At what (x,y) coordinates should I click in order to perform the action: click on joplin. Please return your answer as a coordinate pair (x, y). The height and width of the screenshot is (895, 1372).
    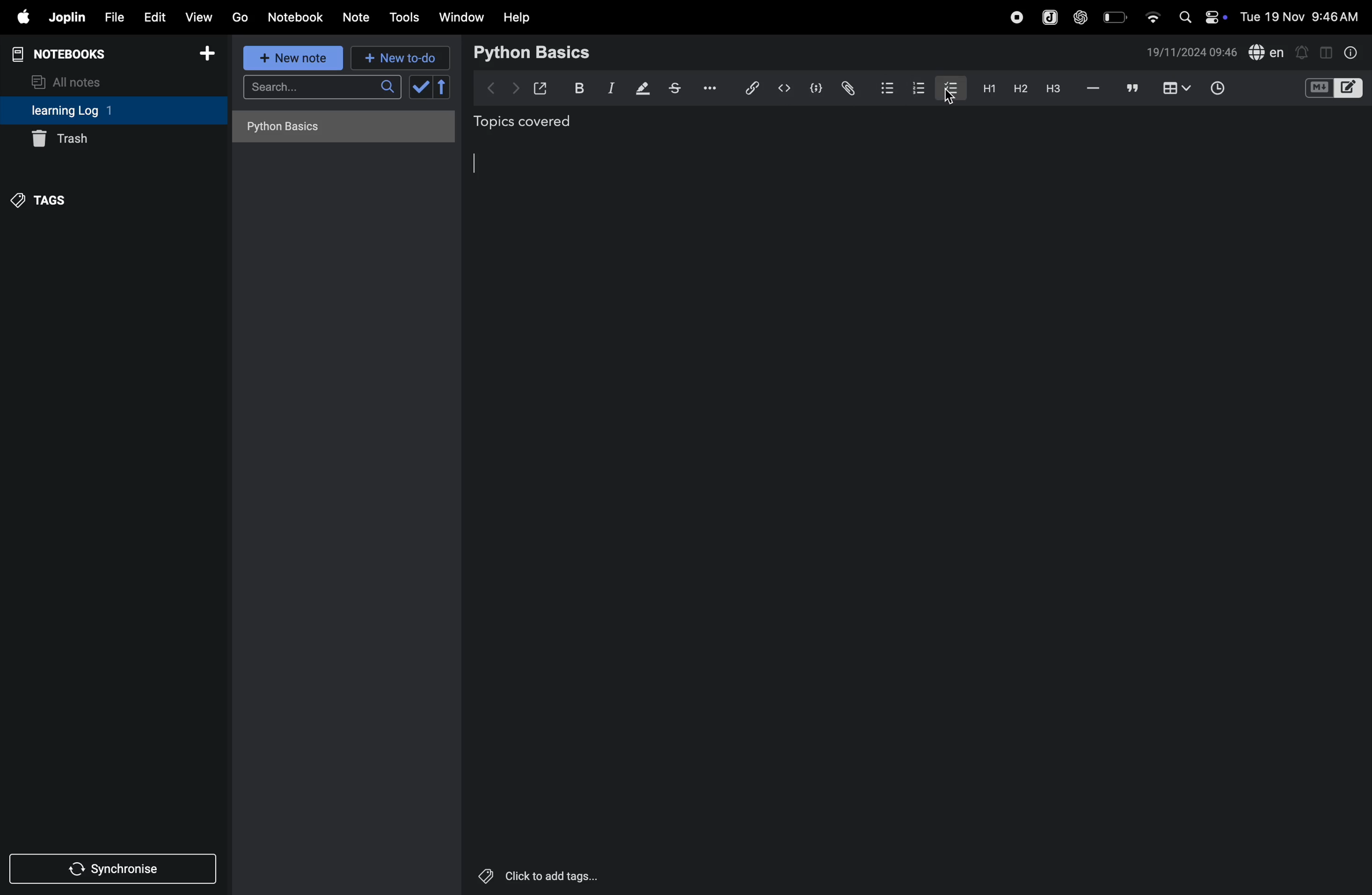
    Looking at the image, I should click on (1048, 17).